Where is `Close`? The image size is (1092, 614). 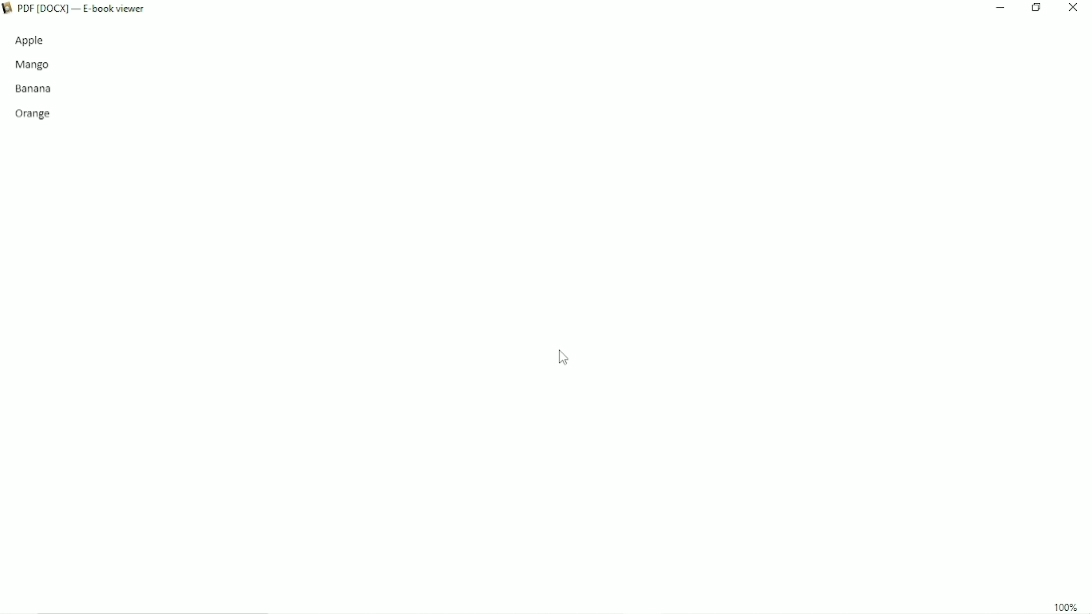 Close is located at coordinates (1074, 8).